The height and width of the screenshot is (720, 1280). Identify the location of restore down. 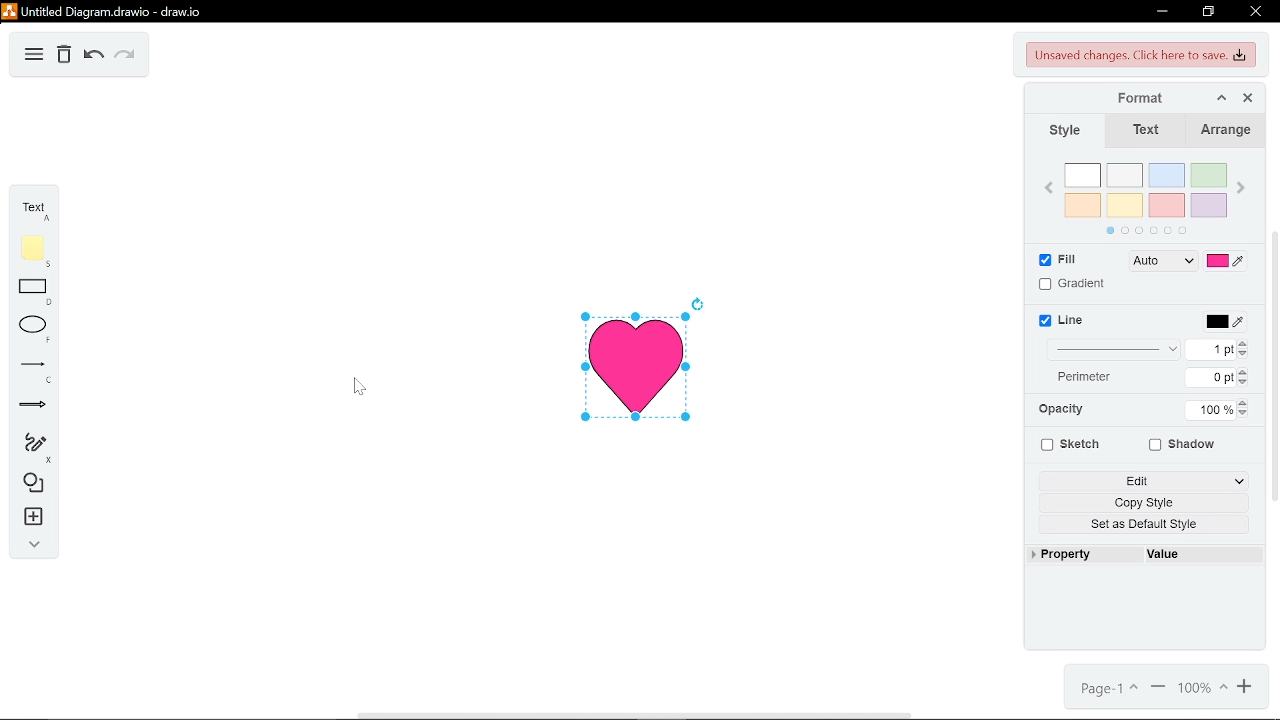
(1210, 12).